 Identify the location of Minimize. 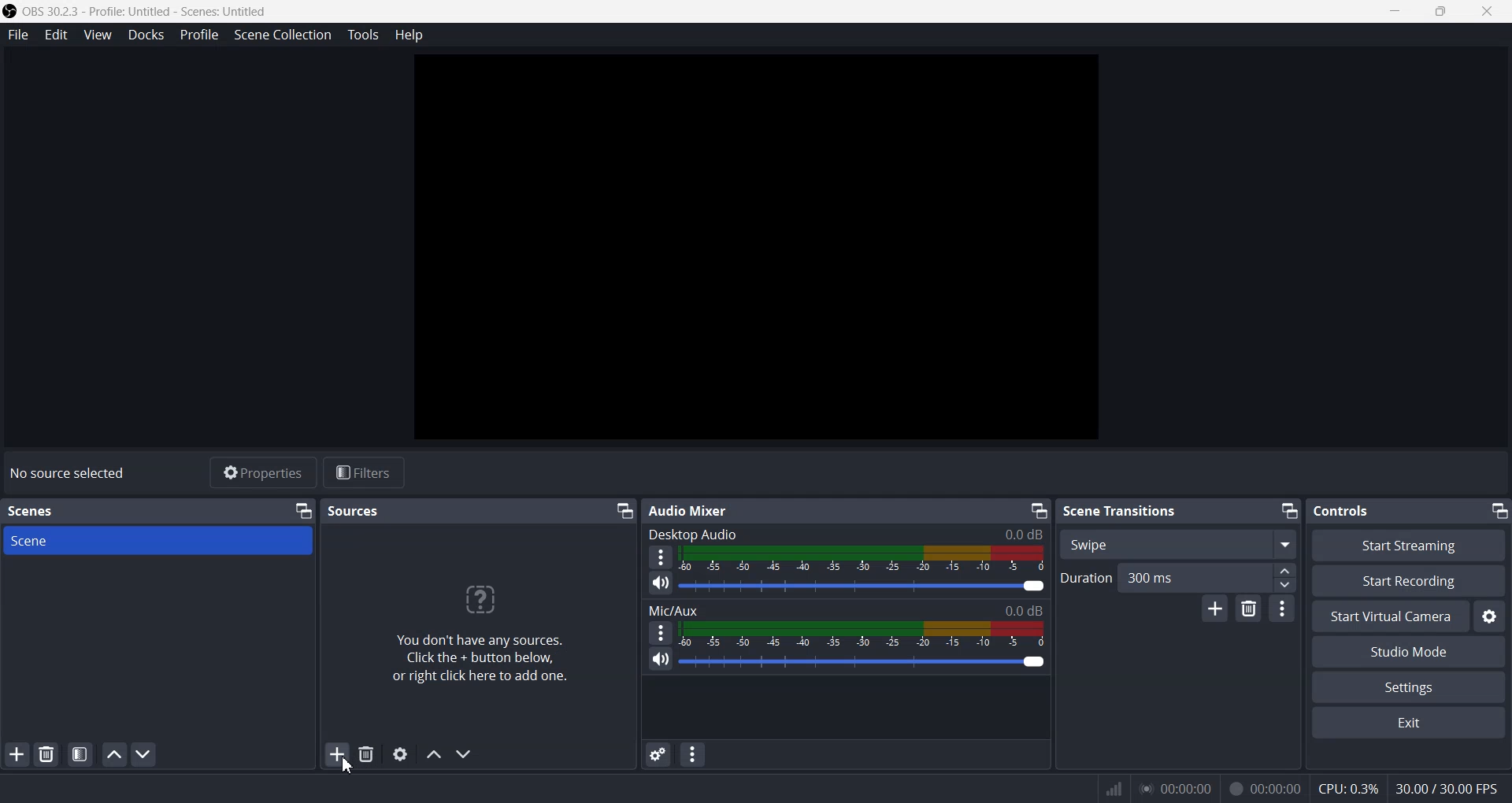
(1499, 511).